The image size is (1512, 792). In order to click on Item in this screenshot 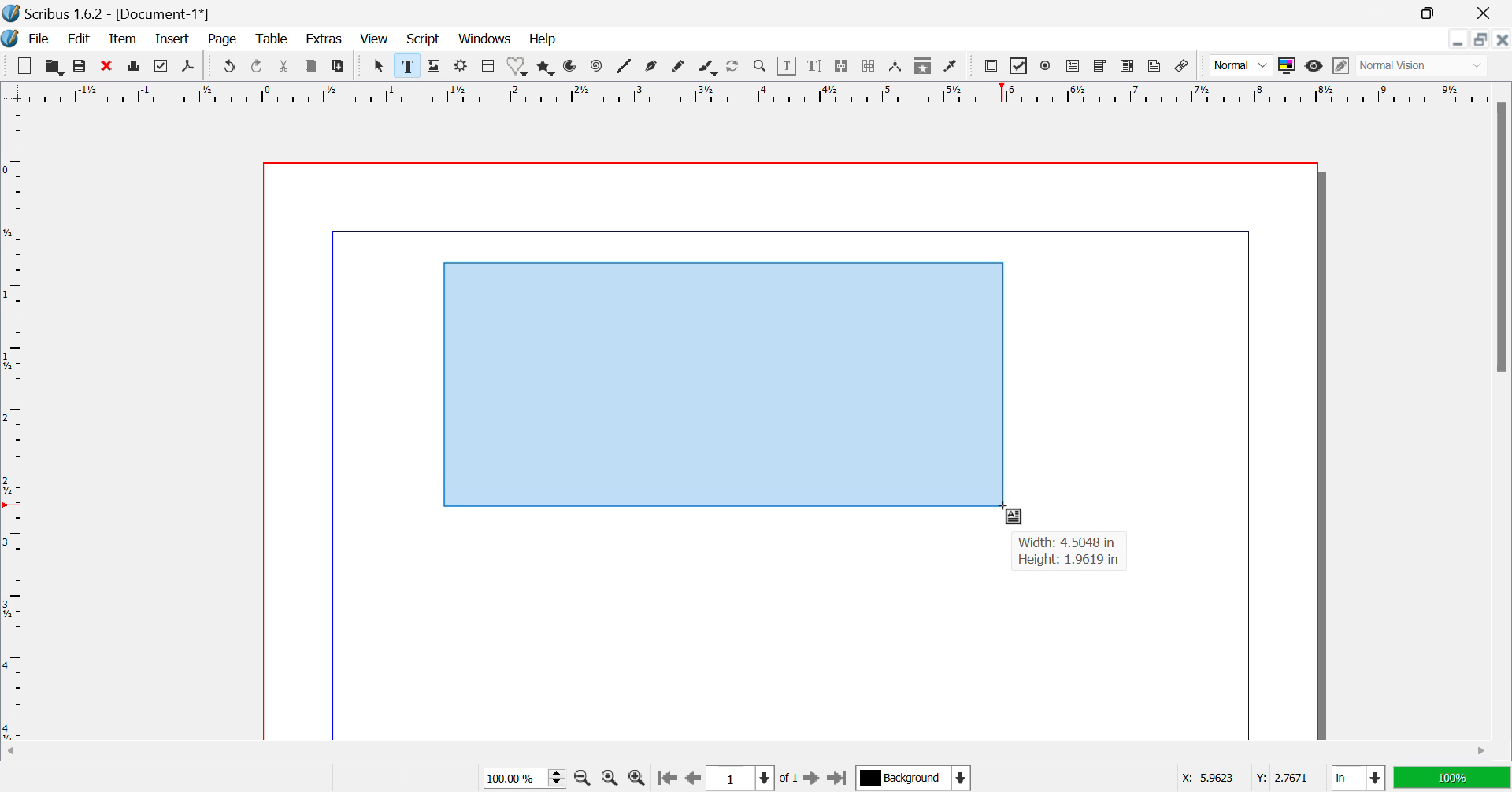, I will do `click(123, 41)`.